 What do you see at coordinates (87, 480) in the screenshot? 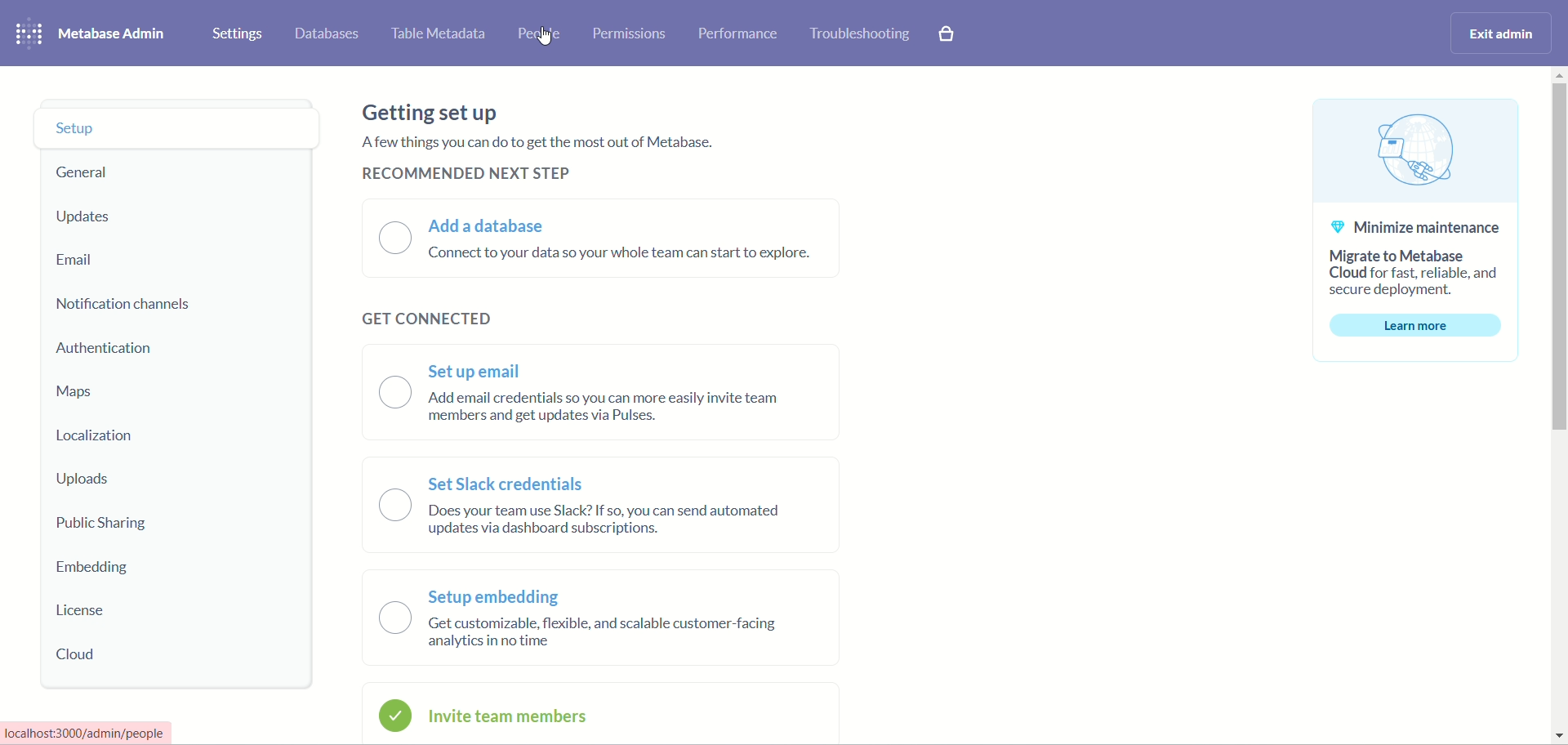
I see `uploads` at bounding box center [87, 480].